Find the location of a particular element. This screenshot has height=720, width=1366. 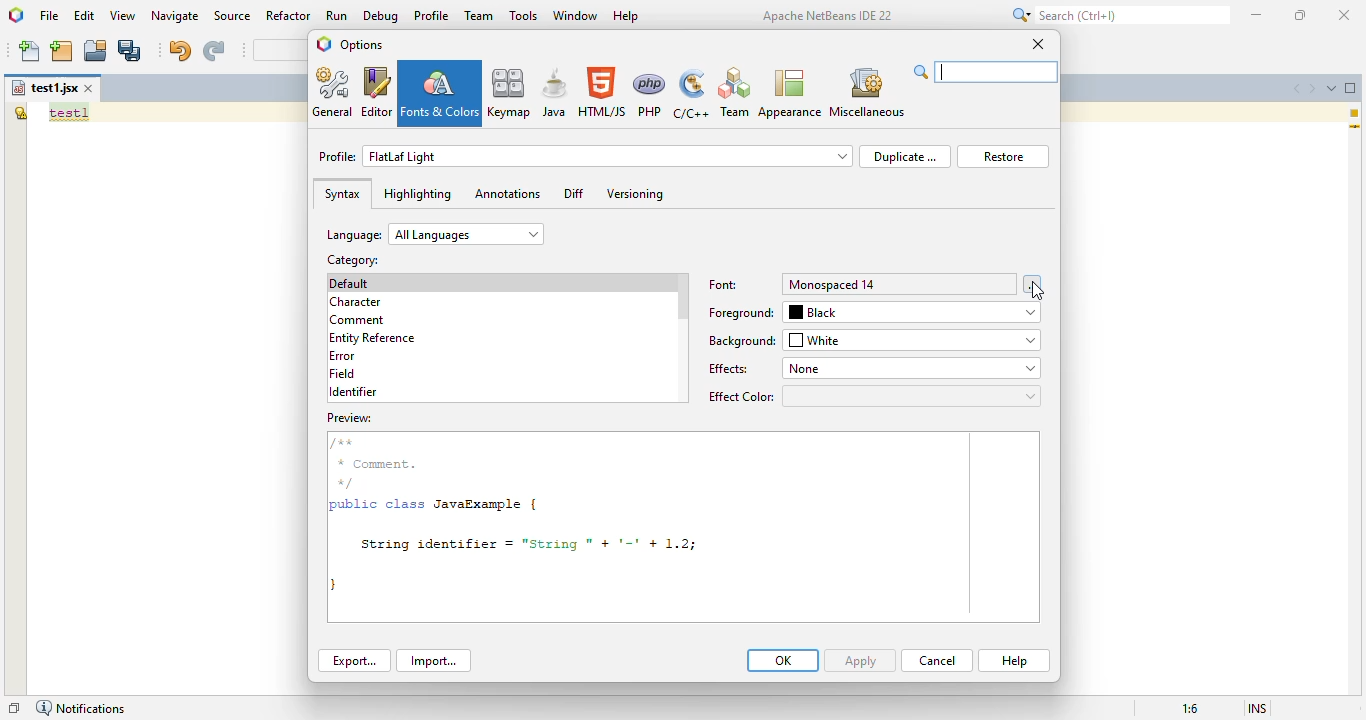

C/C++ is located at coordinates (692, 94).